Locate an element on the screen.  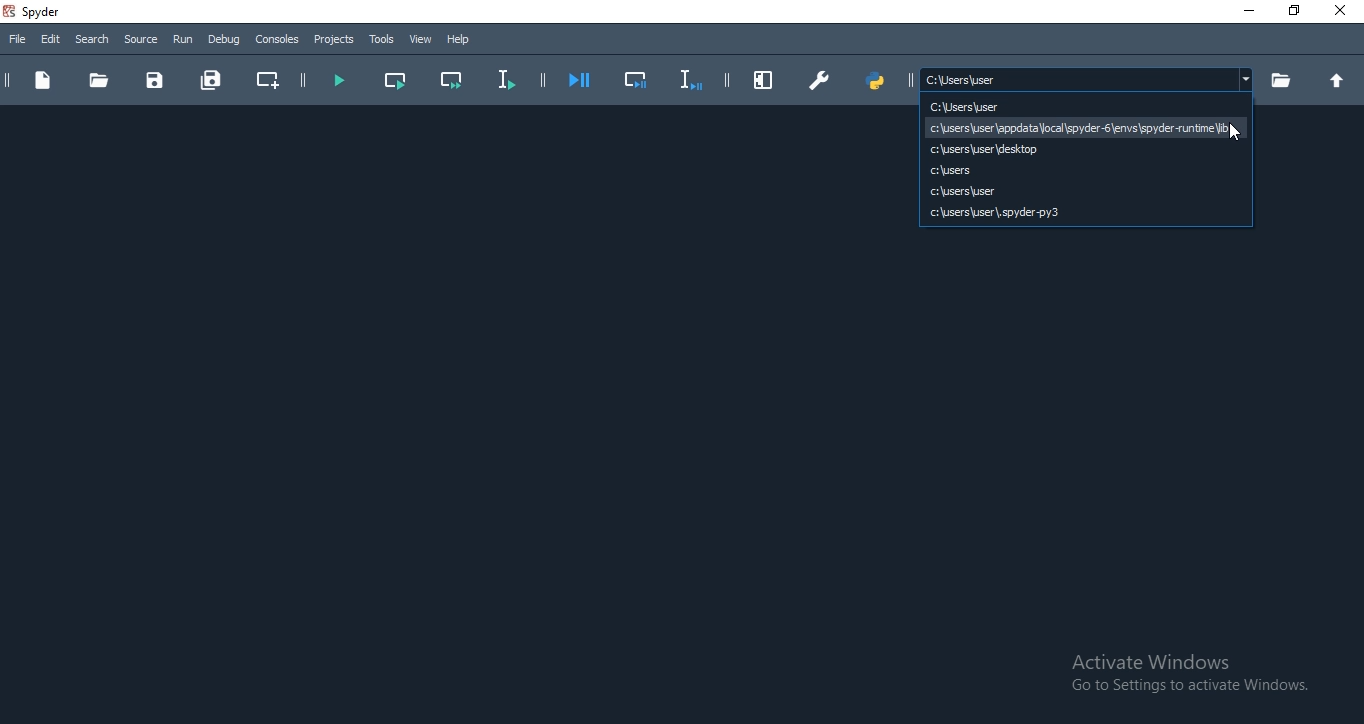
Close is located at coordinates (1344, 10).